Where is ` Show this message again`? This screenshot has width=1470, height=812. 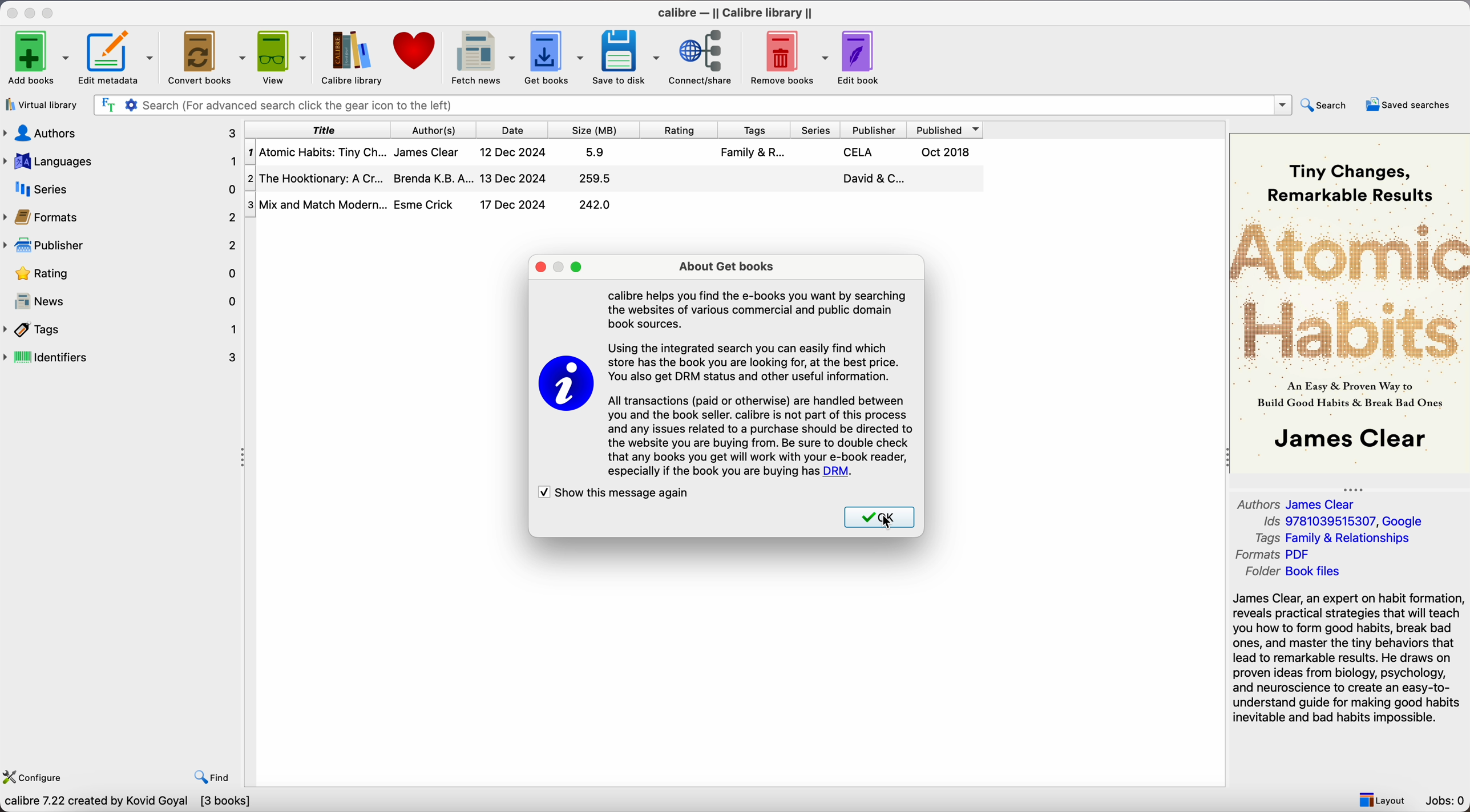
 Show this message again is located at coordinates (619, 494).